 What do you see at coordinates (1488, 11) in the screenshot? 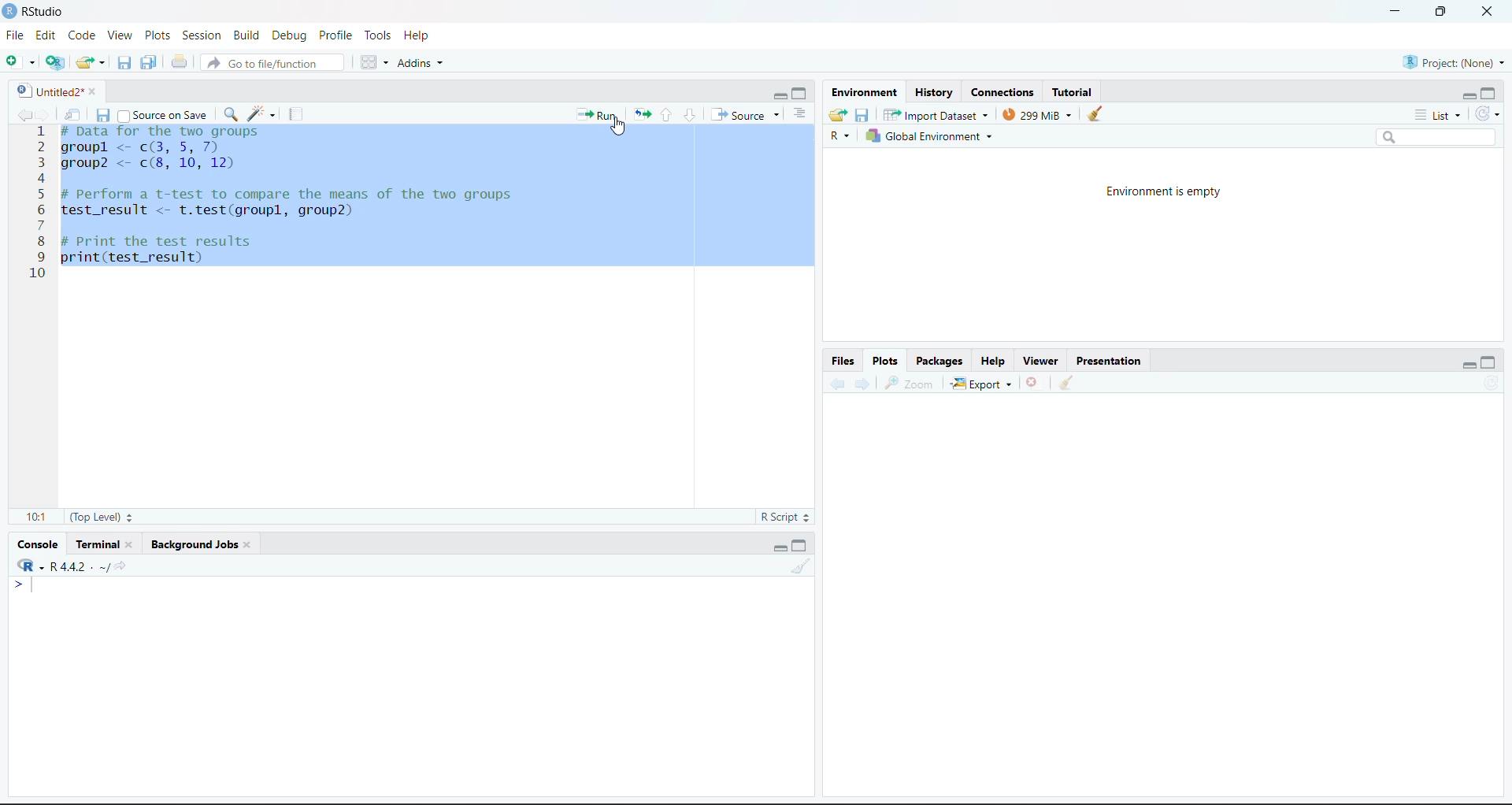
I see `close` at bounding box center [1488, 11].